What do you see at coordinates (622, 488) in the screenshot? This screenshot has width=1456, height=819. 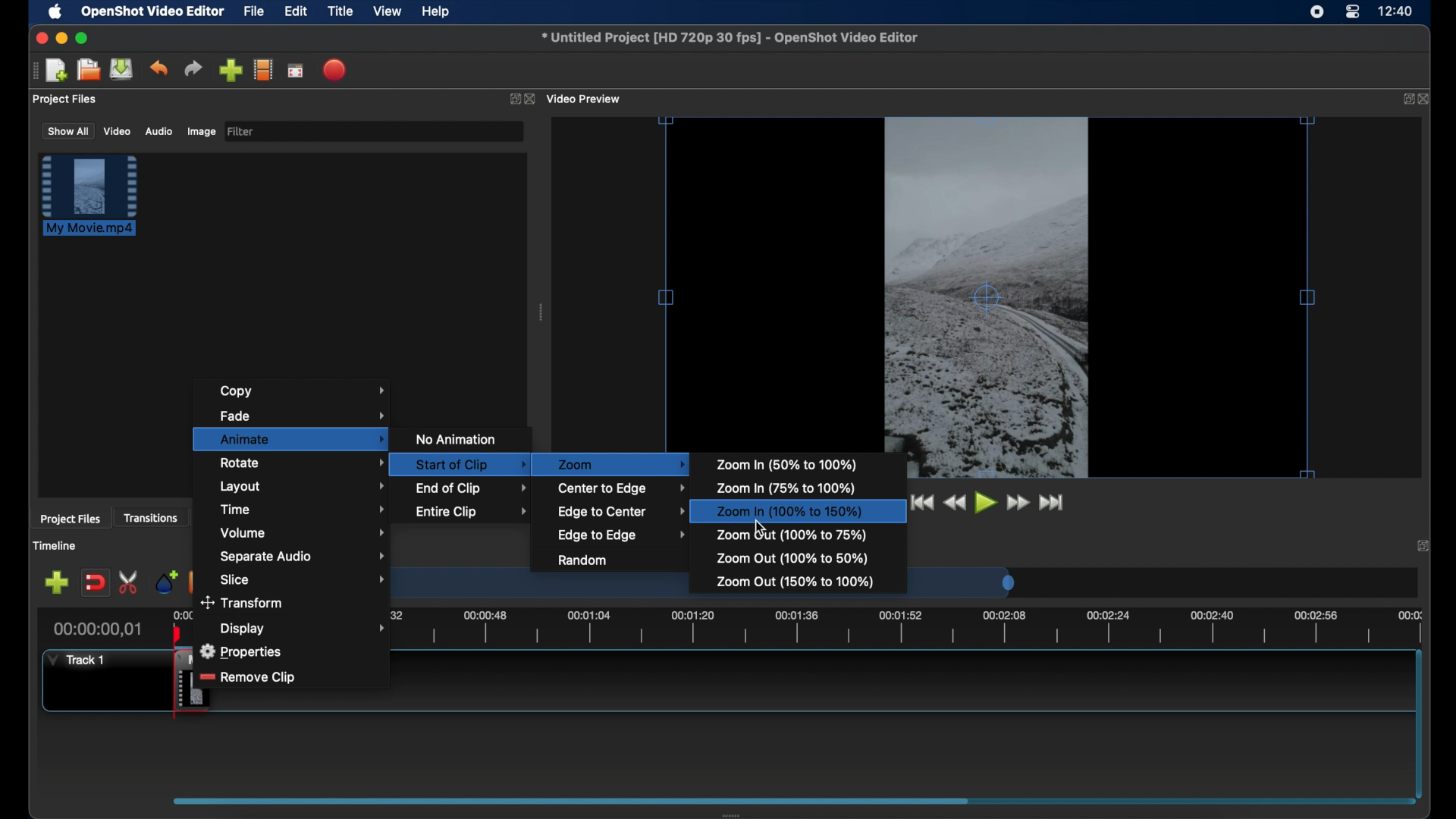 I see `center to edge  menu` at bounding box center [622, 488].